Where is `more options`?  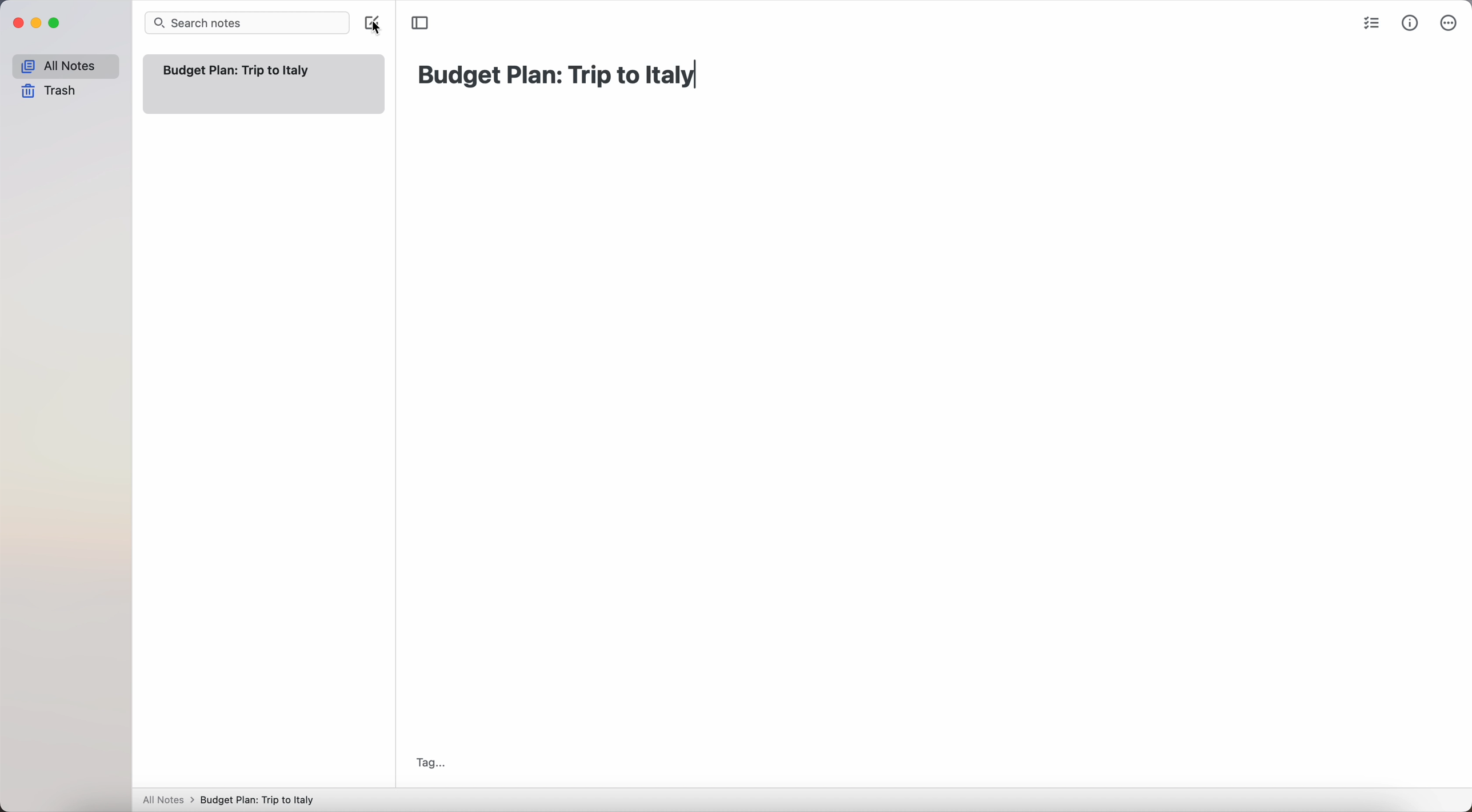
more options is located at coordinates (1449, 23).